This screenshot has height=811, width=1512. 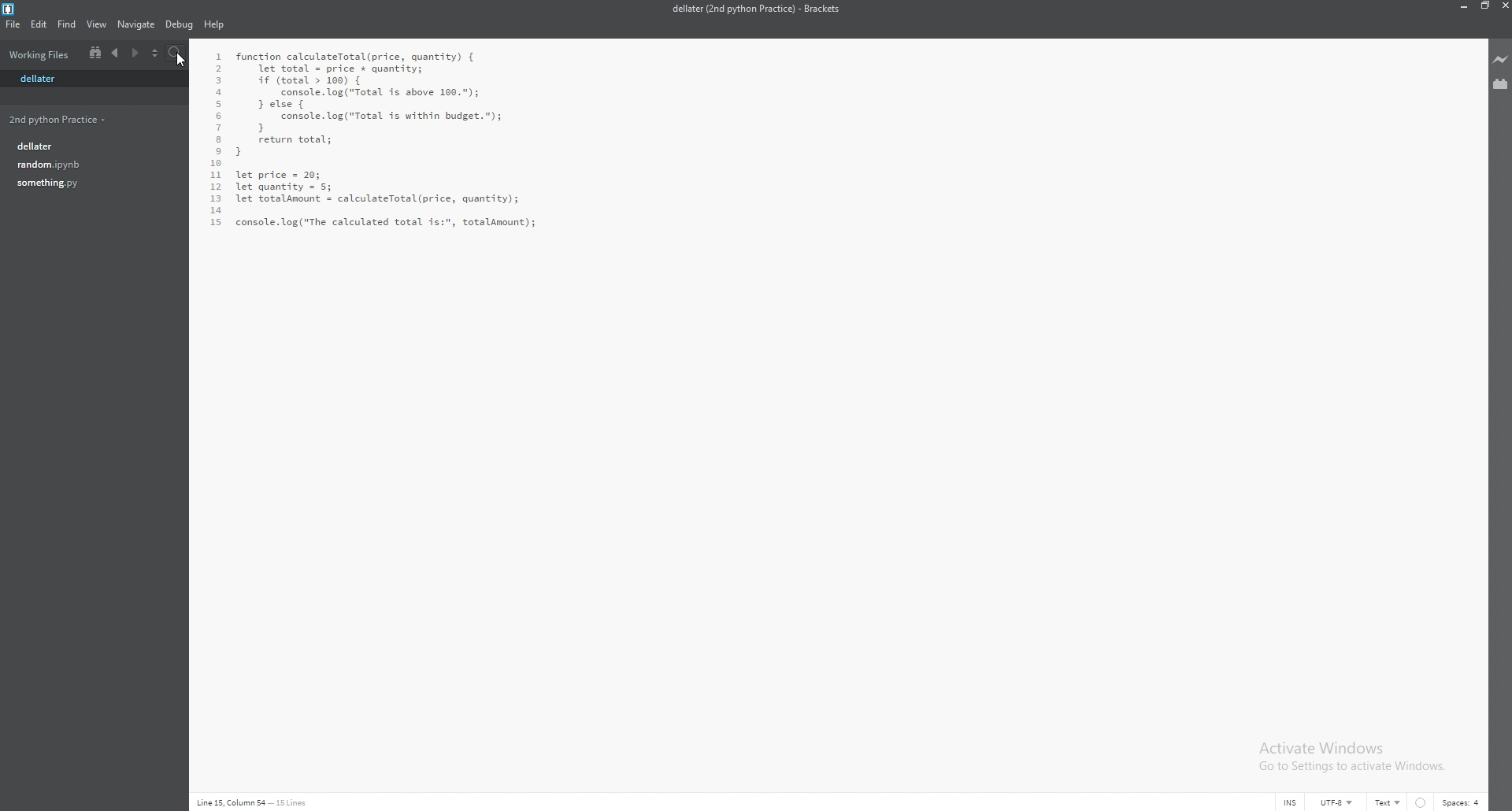 What do you see at coordinates (217, 222) in the screenshot?
I see `15` at bounding box center [217, 222].